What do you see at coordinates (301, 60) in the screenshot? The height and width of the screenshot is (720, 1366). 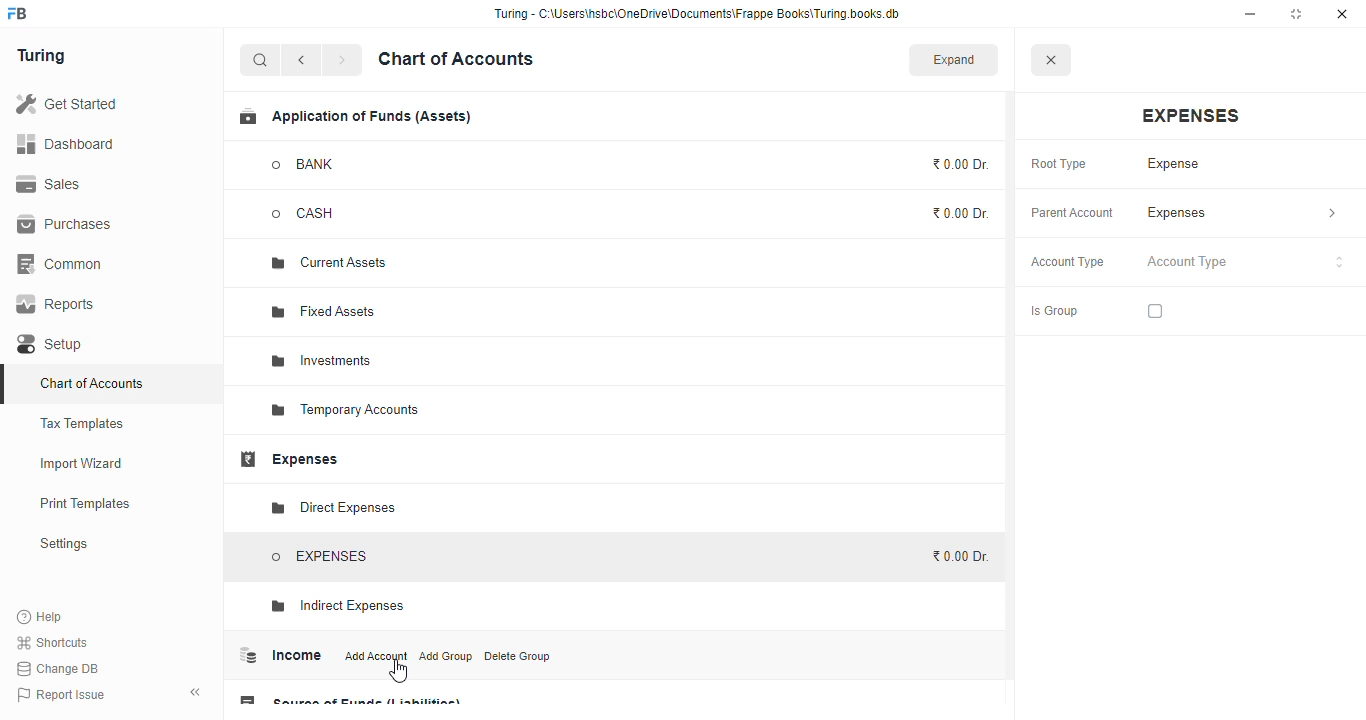 I see `back` at bounding box center [301, 60].